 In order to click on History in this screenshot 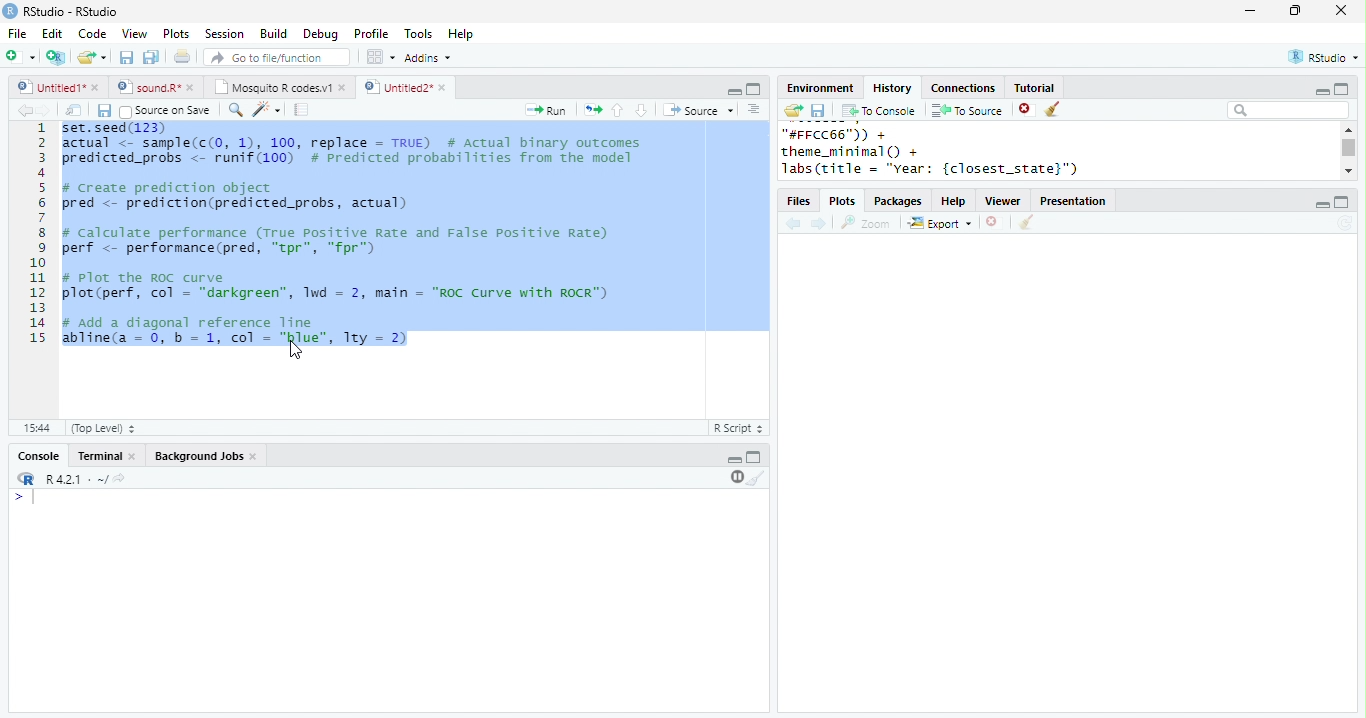, I will do `click(892, 88)`.